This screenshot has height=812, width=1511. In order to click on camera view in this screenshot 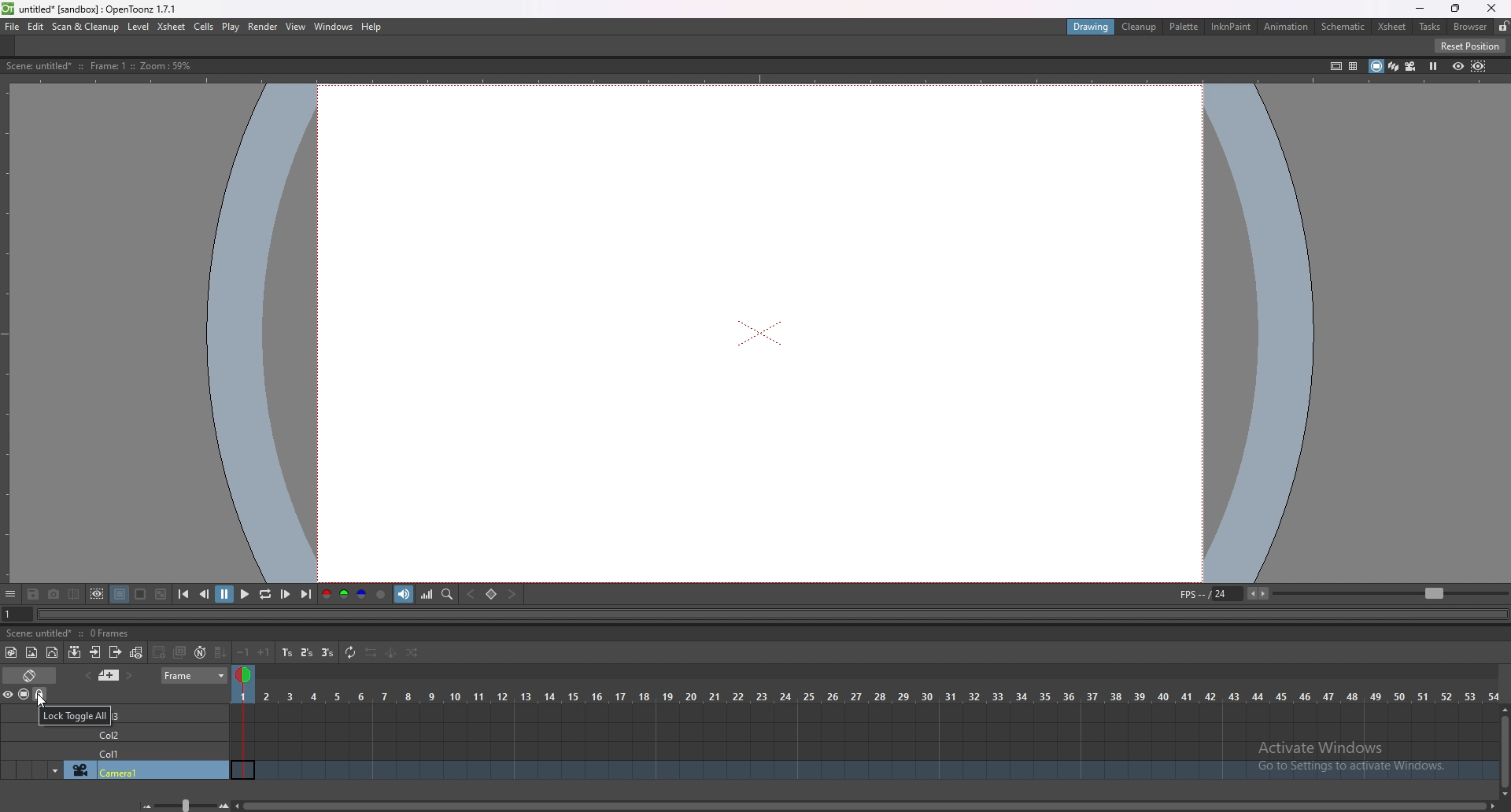, I will do `click(1410, 67)`.